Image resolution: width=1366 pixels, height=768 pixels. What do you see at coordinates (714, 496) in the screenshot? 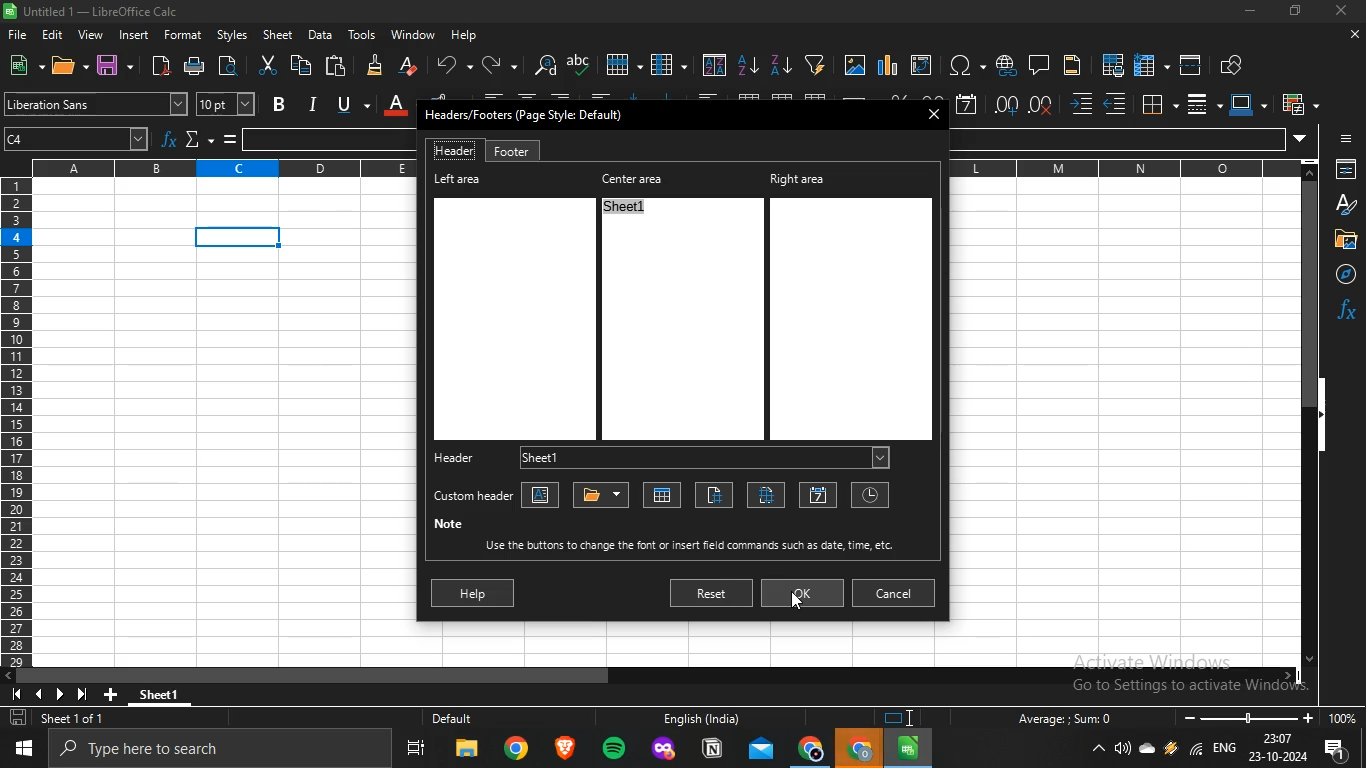
I see `page` at bounding box center [714, 496].